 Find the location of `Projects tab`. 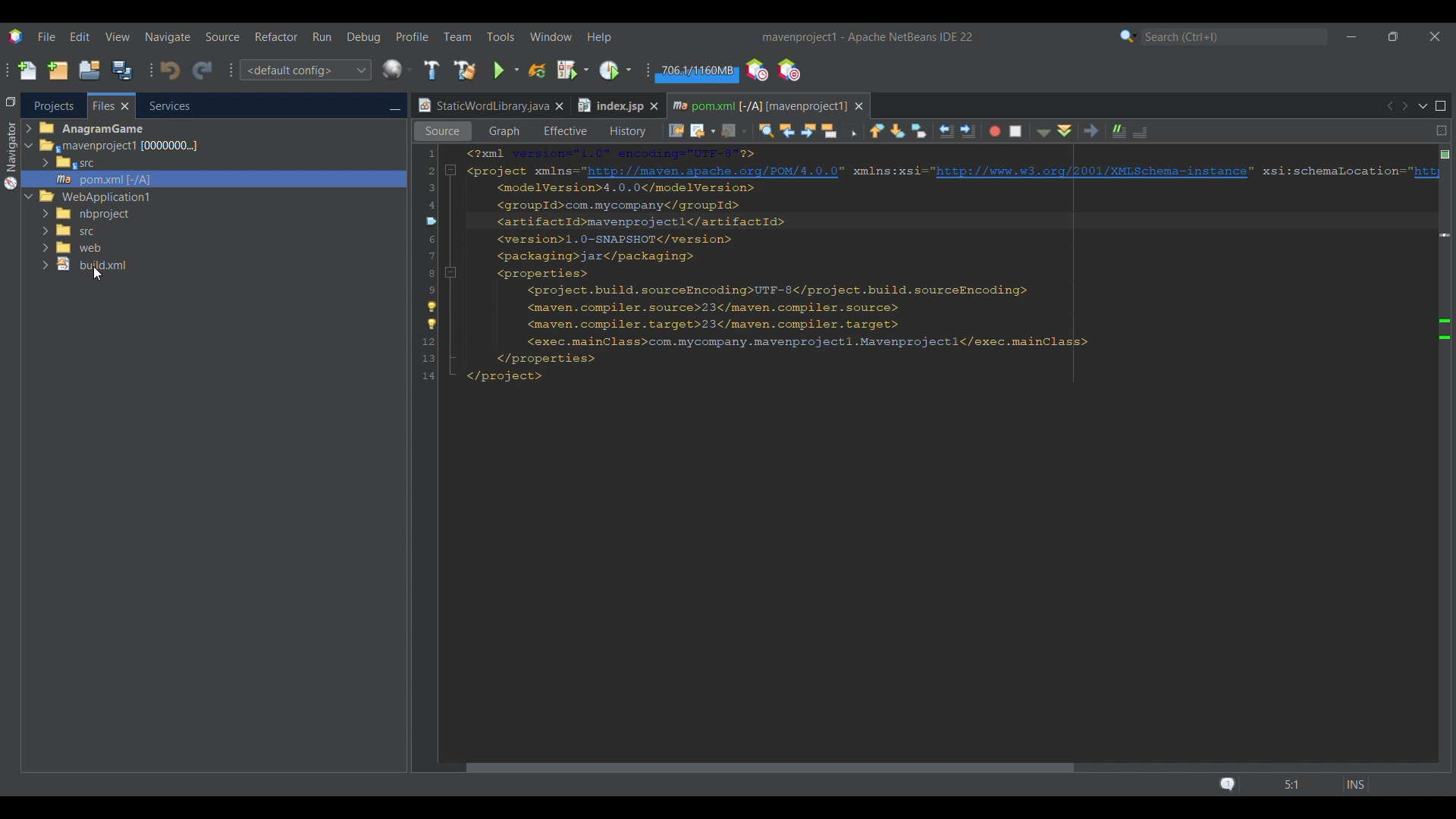

Projects tab is located at coordinates (53, 105).